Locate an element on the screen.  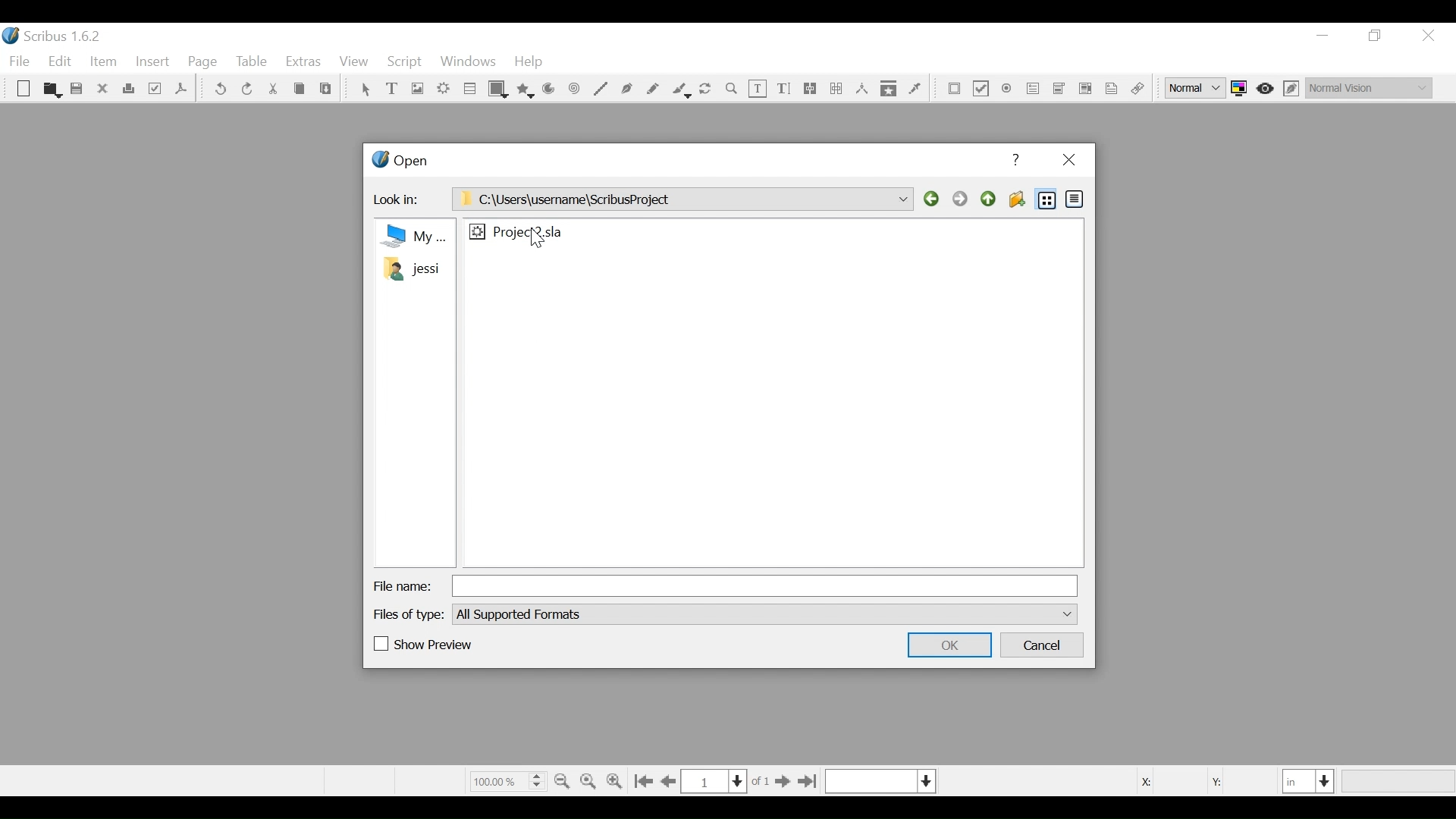
Look in is located at coordinates (402, 202).